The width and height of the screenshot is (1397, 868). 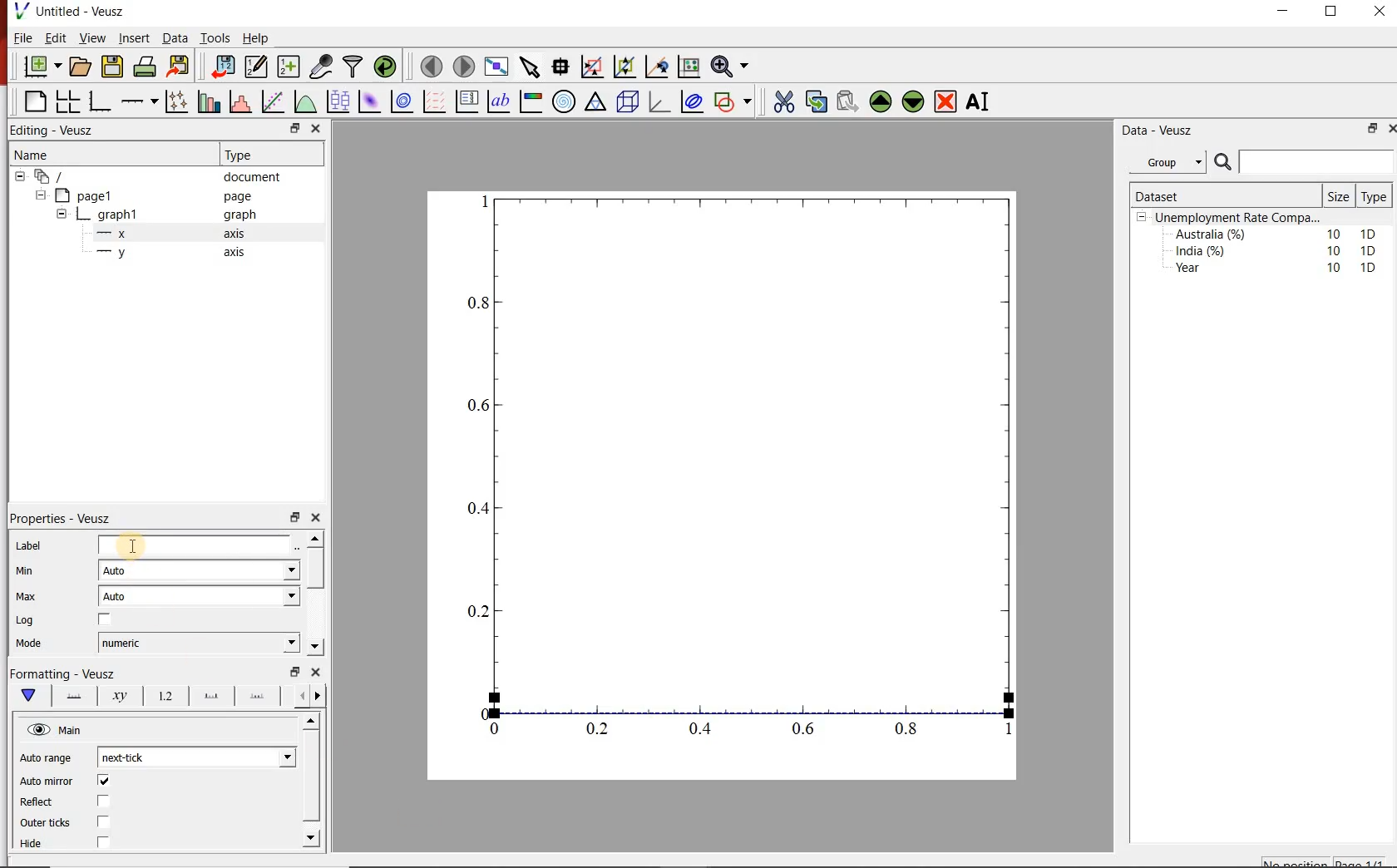 What do you see at coordinates (314, 646) in the screenshot?
I see `move down` at bounding box center [314, 646].